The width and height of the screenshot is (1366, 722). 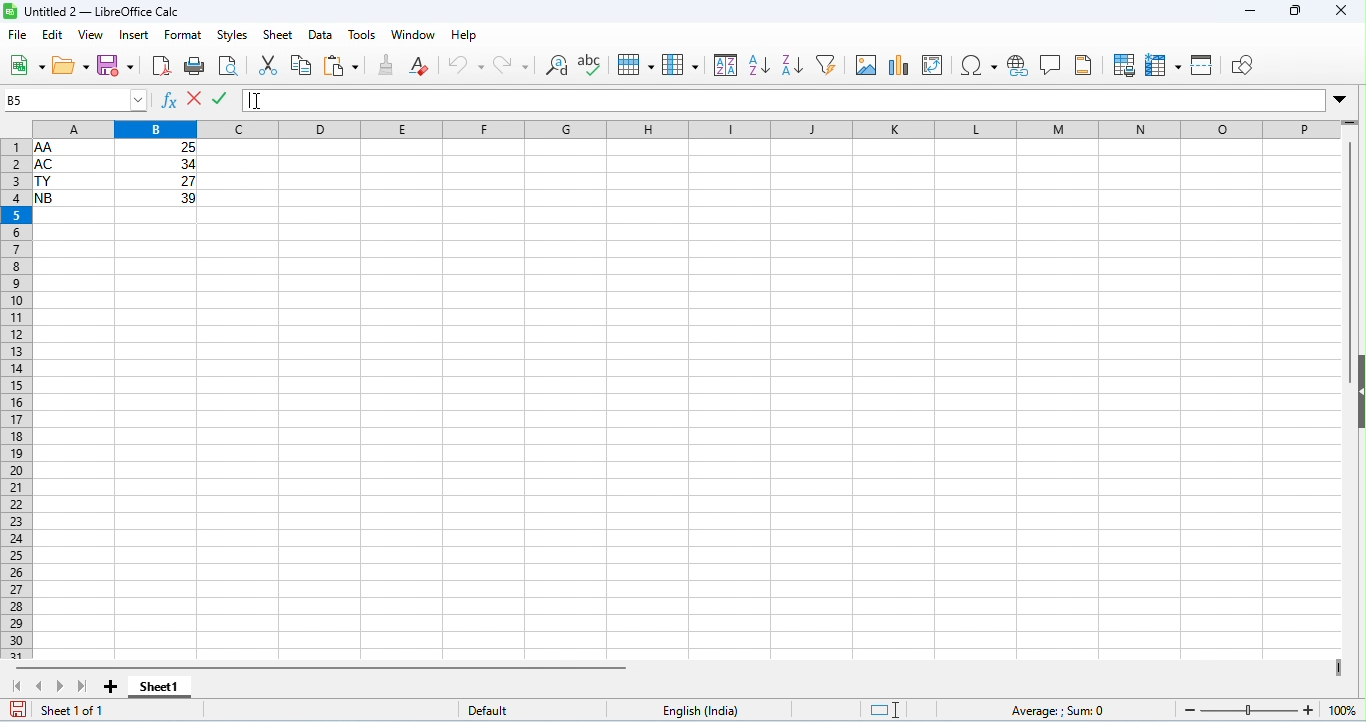 I want to click on view, so click(x=90, y=36).